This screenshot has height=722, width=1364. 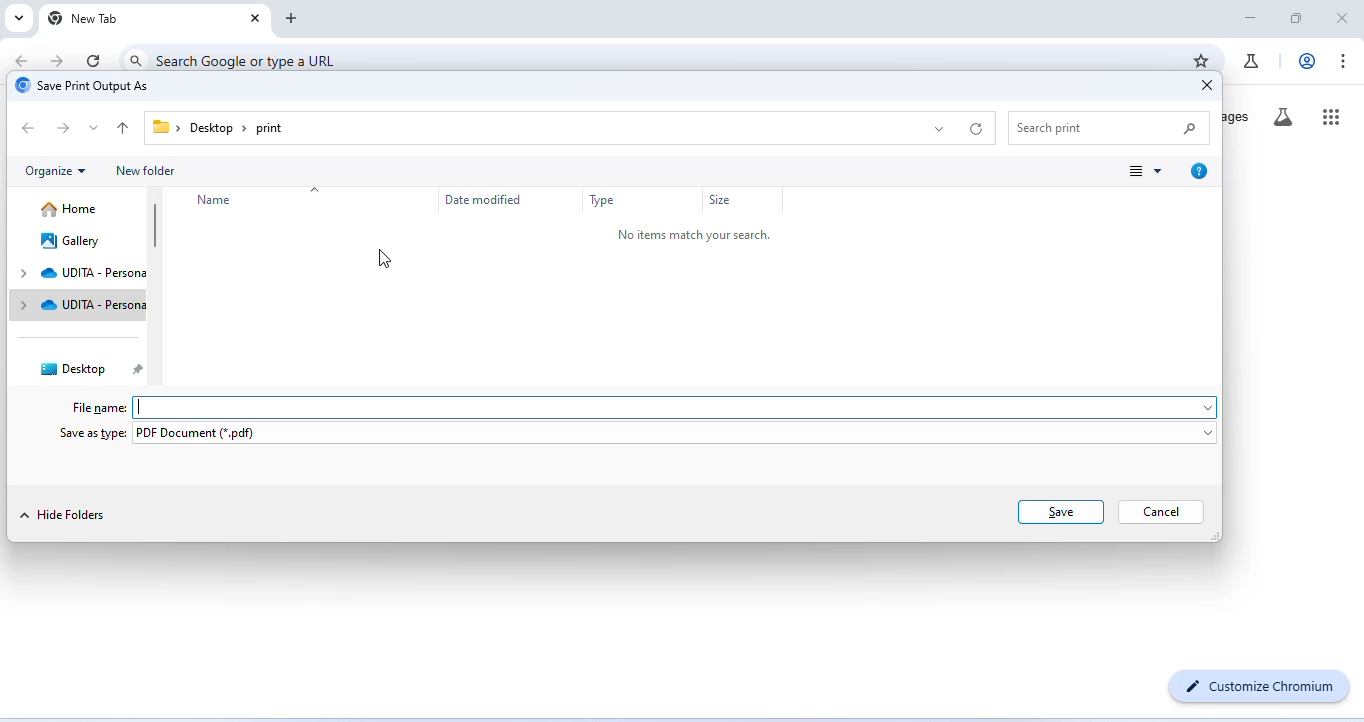 What do you see at coordinates (21, 289) in the screenshot?
I see `drop down` at bounding box center [21, 289].